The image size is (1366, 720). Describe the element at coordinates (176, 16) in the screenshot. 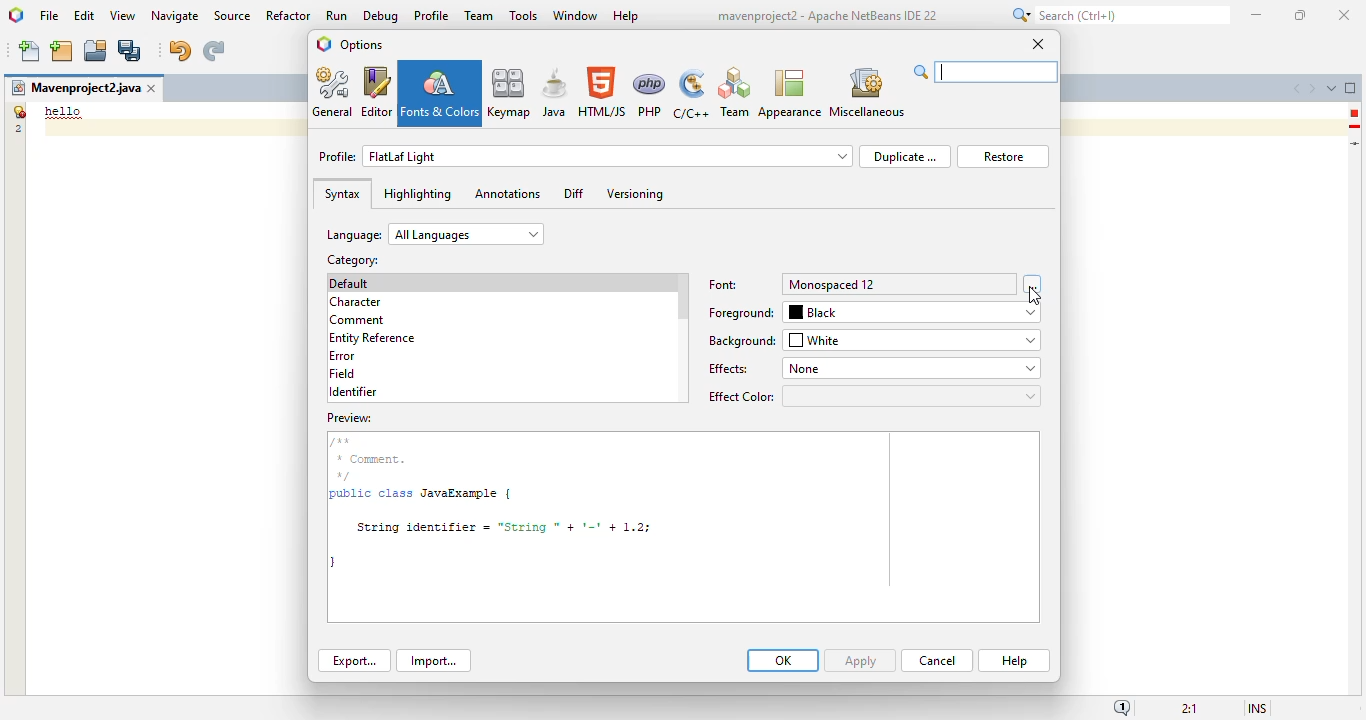

I see `navigate` at that location.